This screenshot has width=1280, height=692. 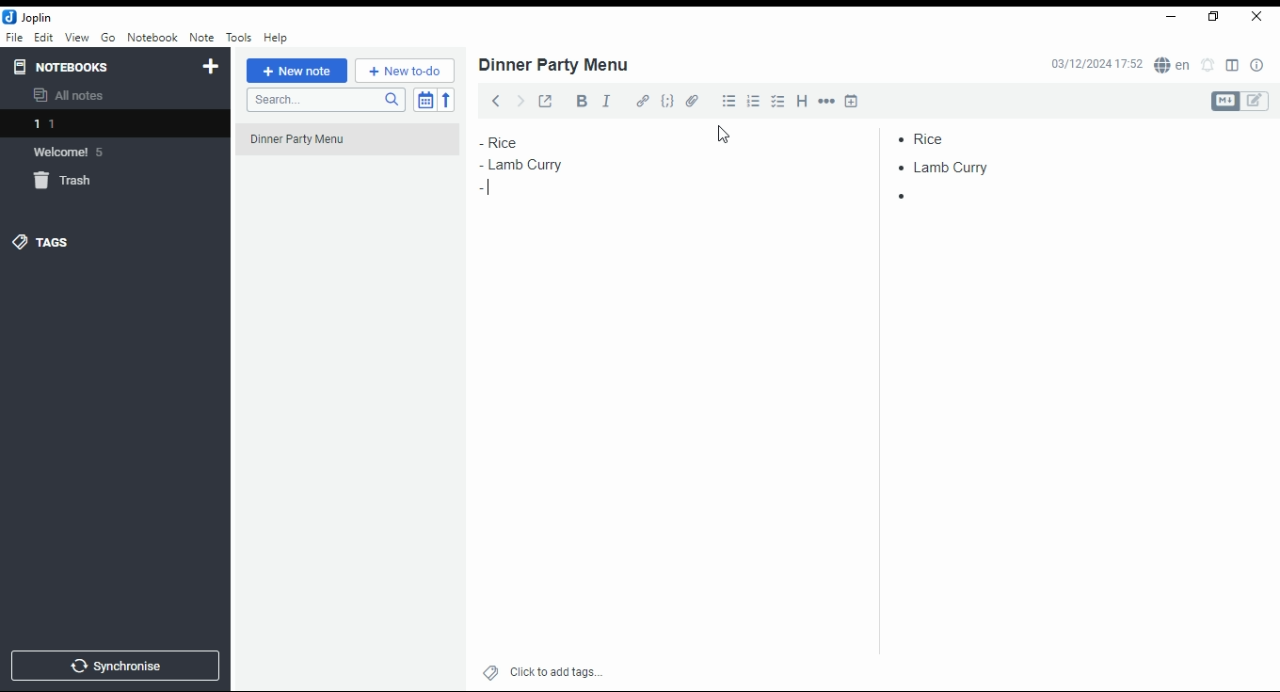 What do you see at coordinates (851, 100) in the screenshot?
I see `insert time` at bounding box center [851, 100].